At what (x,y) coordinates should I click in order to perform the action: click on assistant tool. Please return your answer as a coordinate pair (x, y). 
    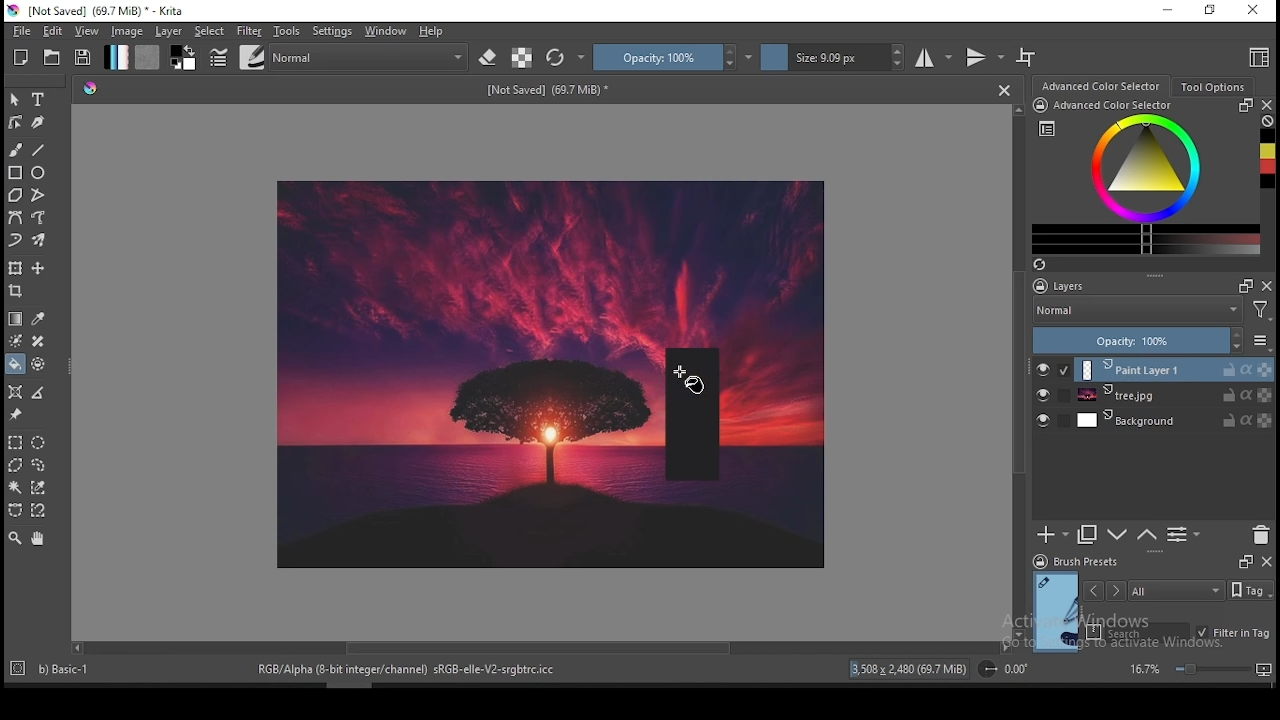
    Looking at the image, I should click on (16, 391).